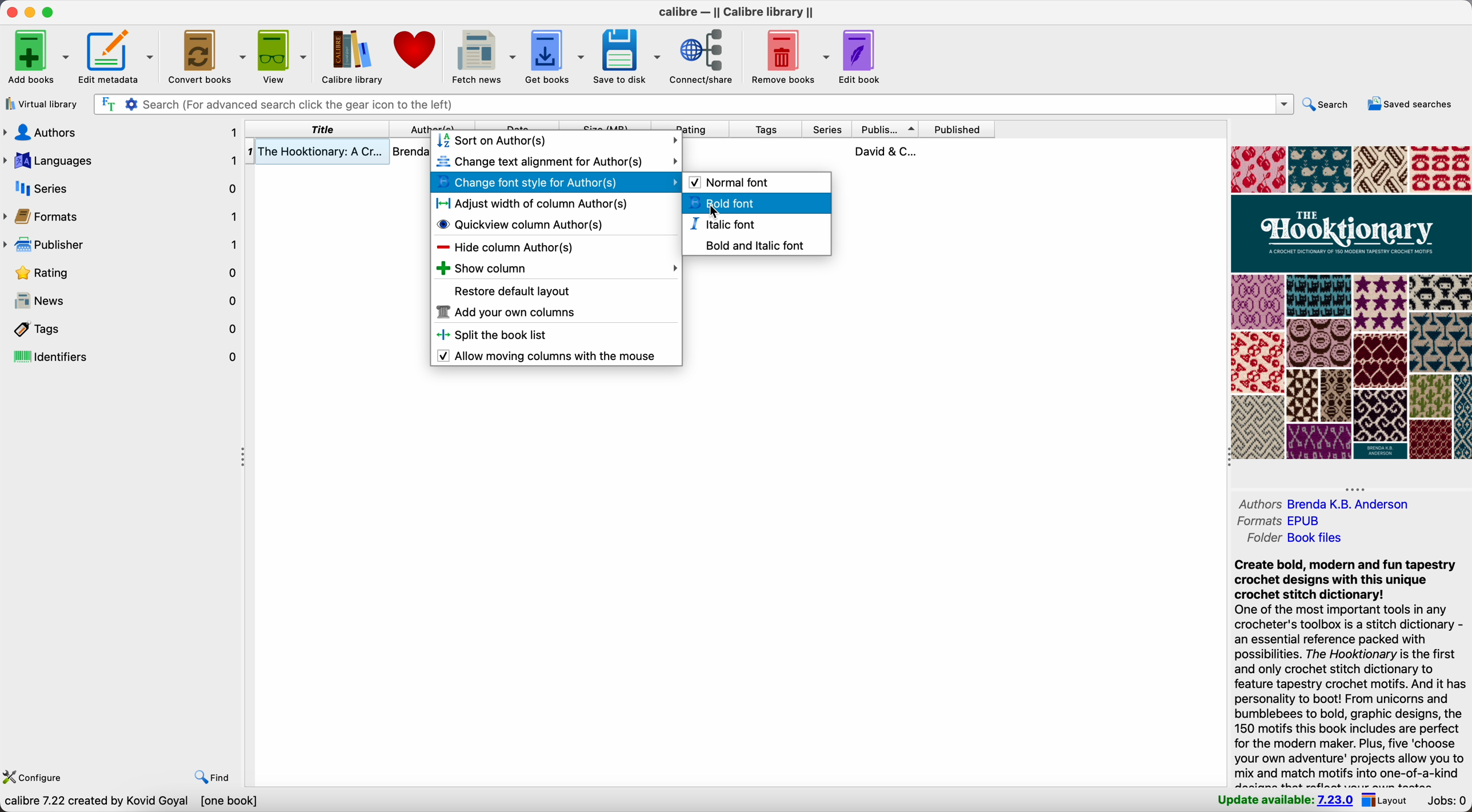 The width and height of the screenshot is (1472, 812). What do you see at coordinates (1351, 303) in the screenshot?
I see `book cover preview` at bounding box center [1351, 303].